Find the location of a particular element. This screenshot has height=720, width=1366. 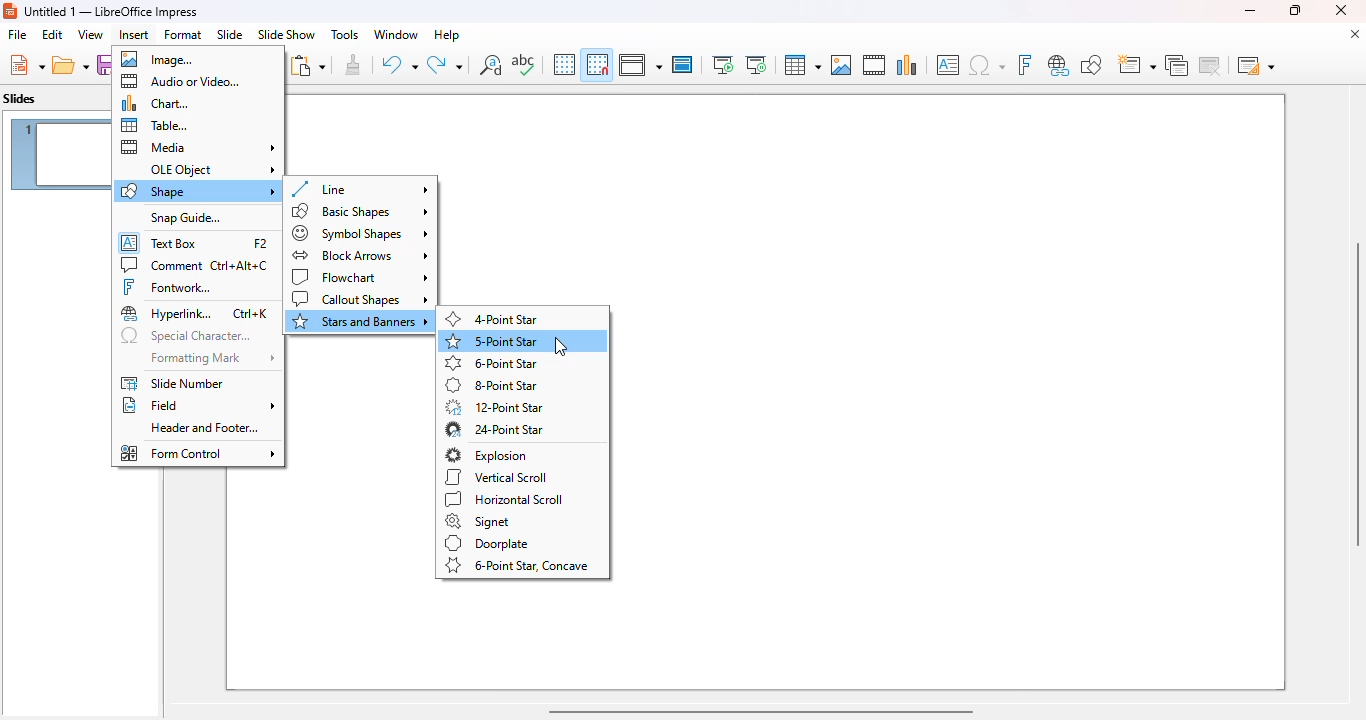

snap to grid is located at coordinates (596, 64).